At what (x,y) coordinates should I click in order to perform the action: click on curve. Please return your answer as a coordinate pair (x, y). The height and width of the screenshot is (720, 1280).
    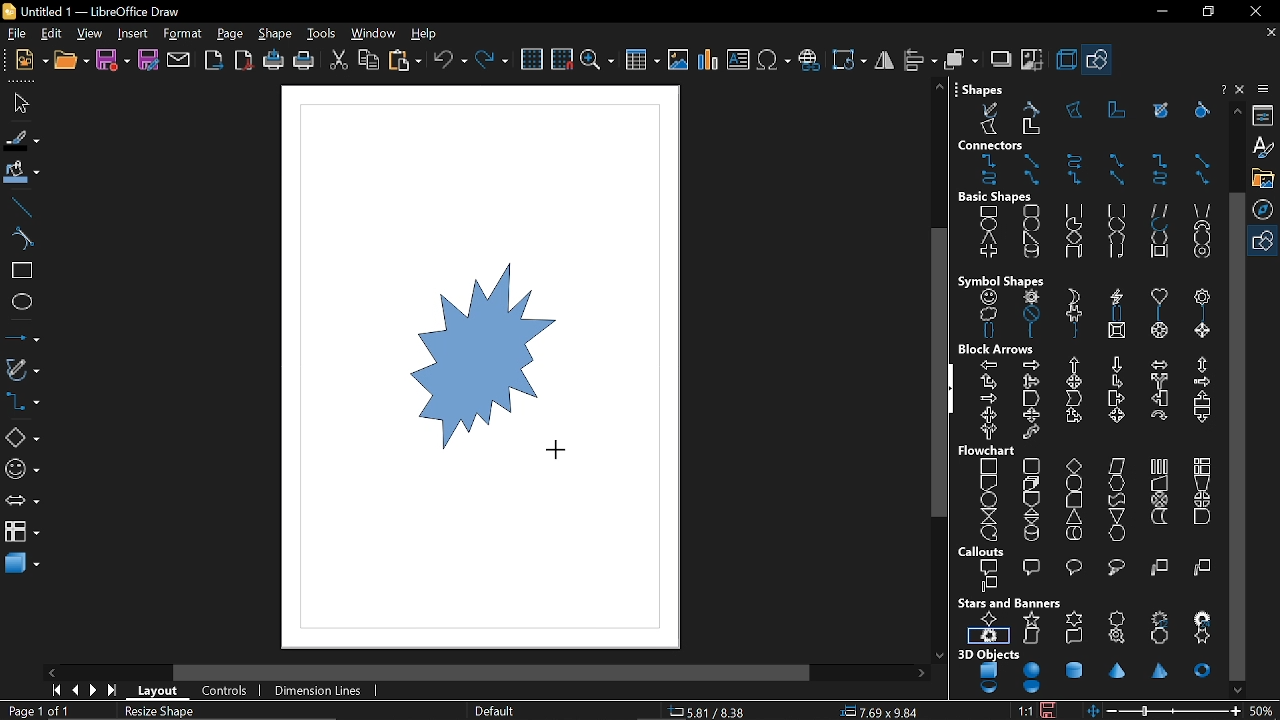
    Looking at the image, I should click on (21, 239).